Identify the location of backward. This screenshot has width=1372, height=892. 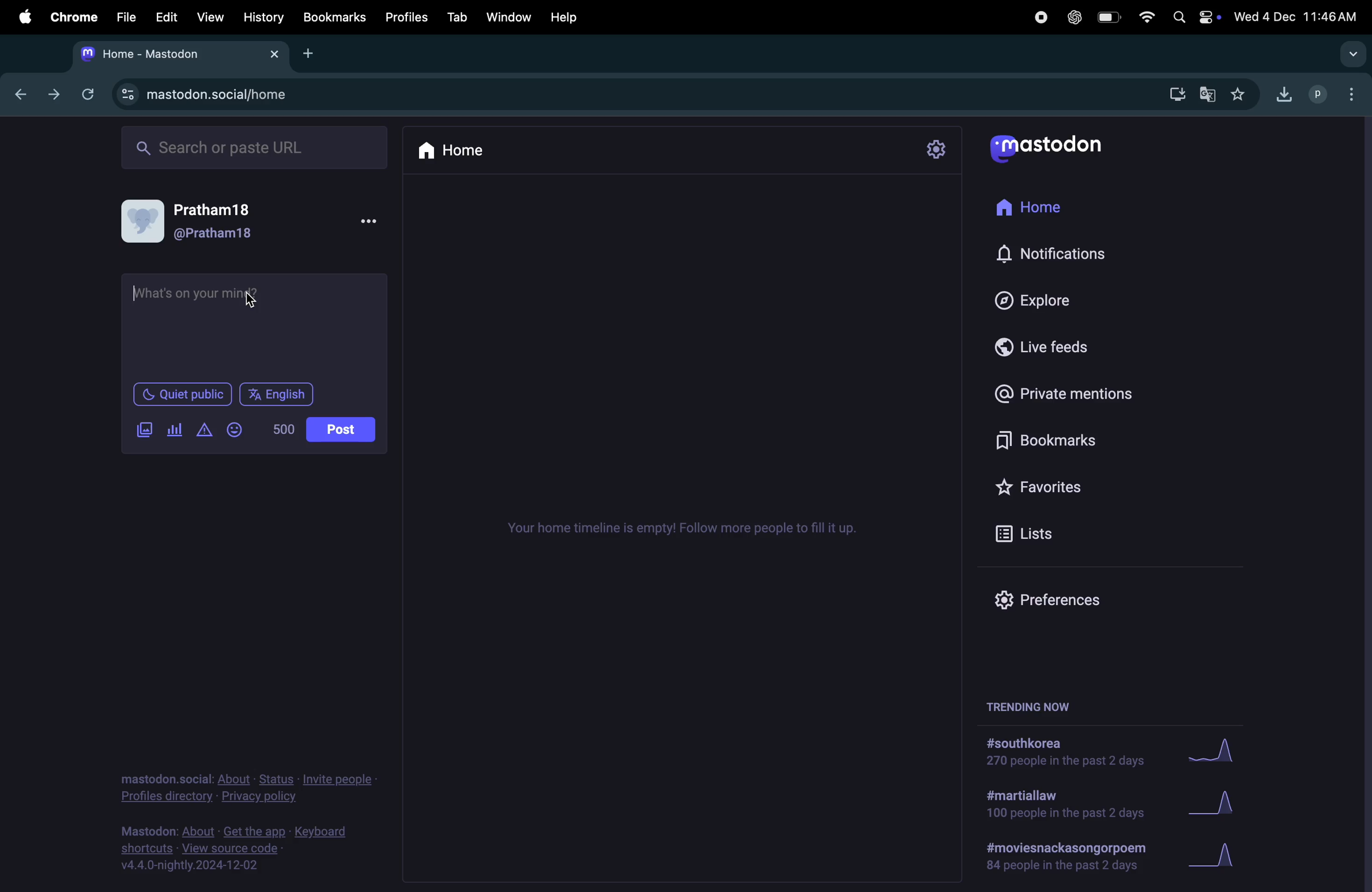
(24, 92).